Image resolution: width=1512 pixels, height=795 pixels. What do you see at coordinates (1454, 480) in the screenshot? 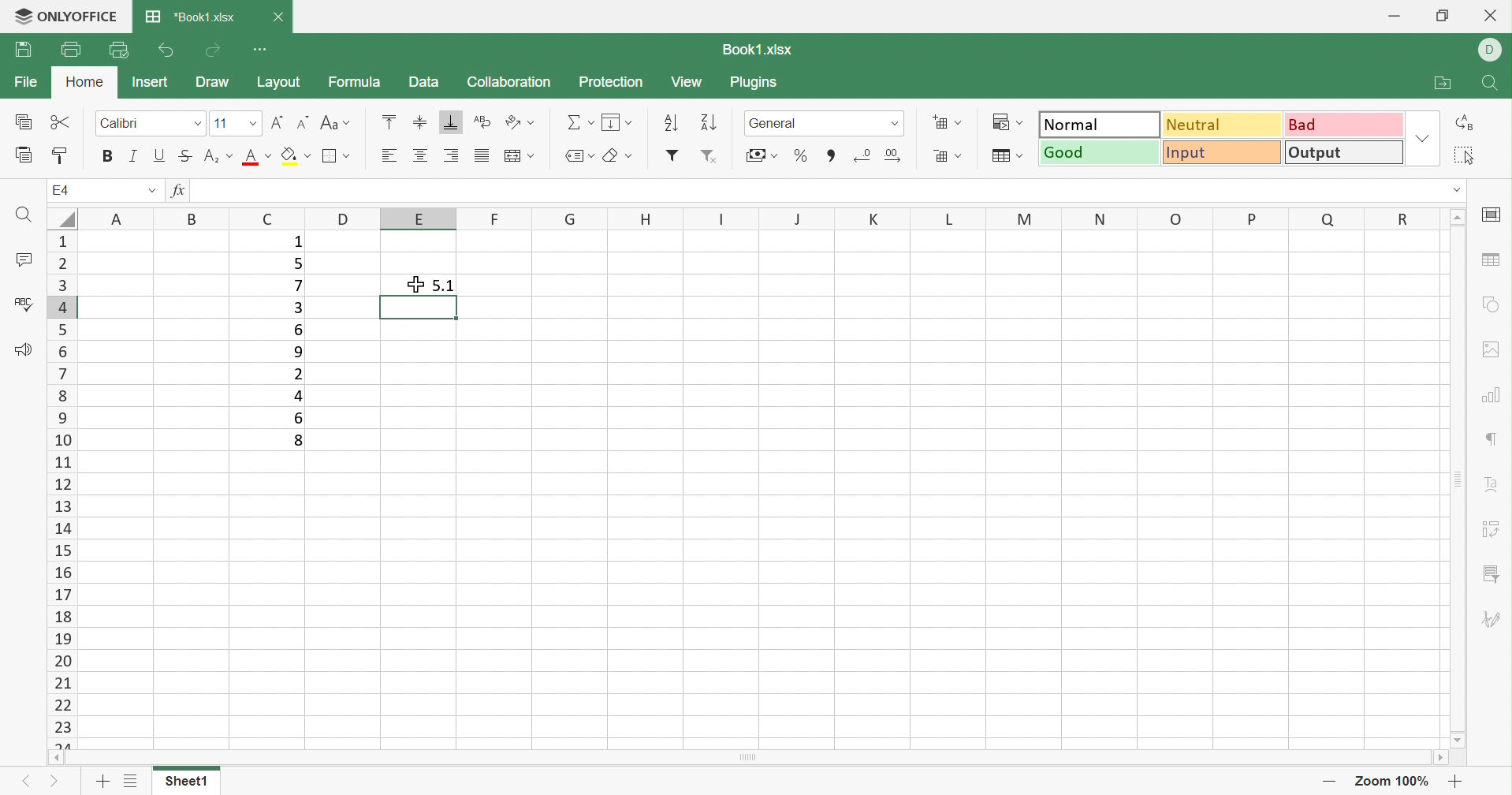
I see `Scroll Bar` at bounding box center [1454, 480].